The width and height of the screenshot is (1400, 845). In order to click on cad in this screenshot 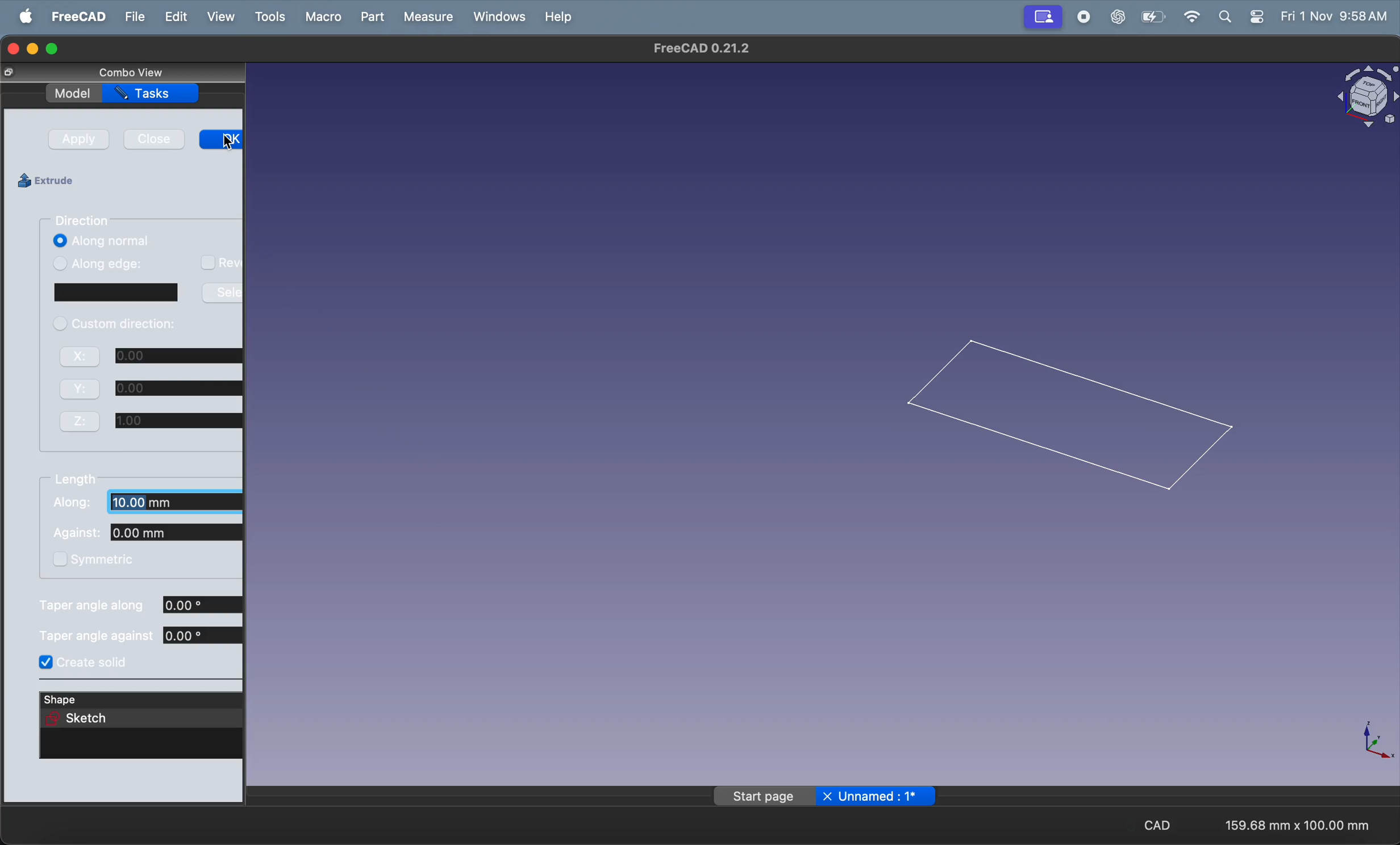, I will do `click(1153, 827)`.